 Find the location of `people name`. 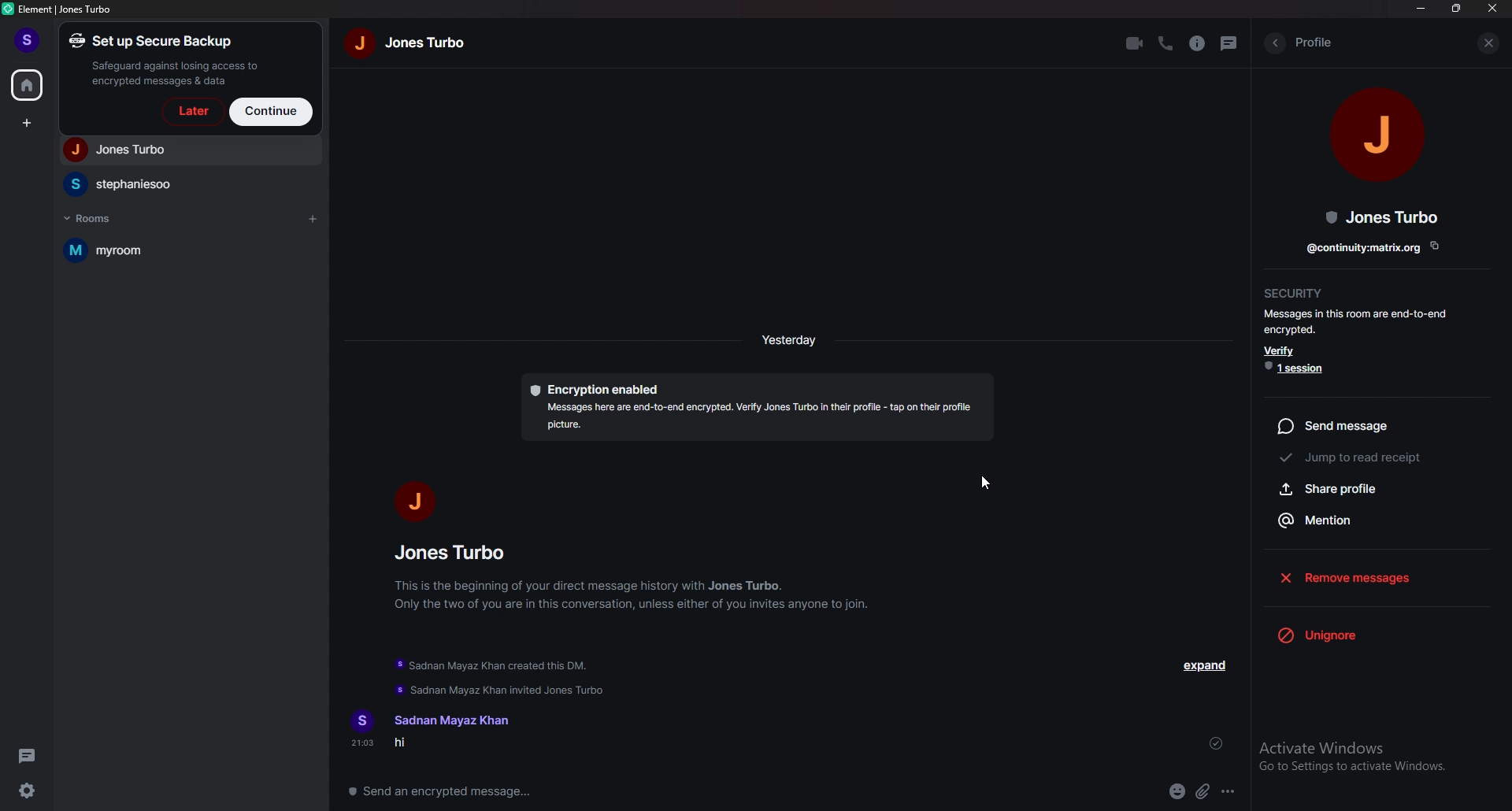

people name is located at coordinates (1383, 217).